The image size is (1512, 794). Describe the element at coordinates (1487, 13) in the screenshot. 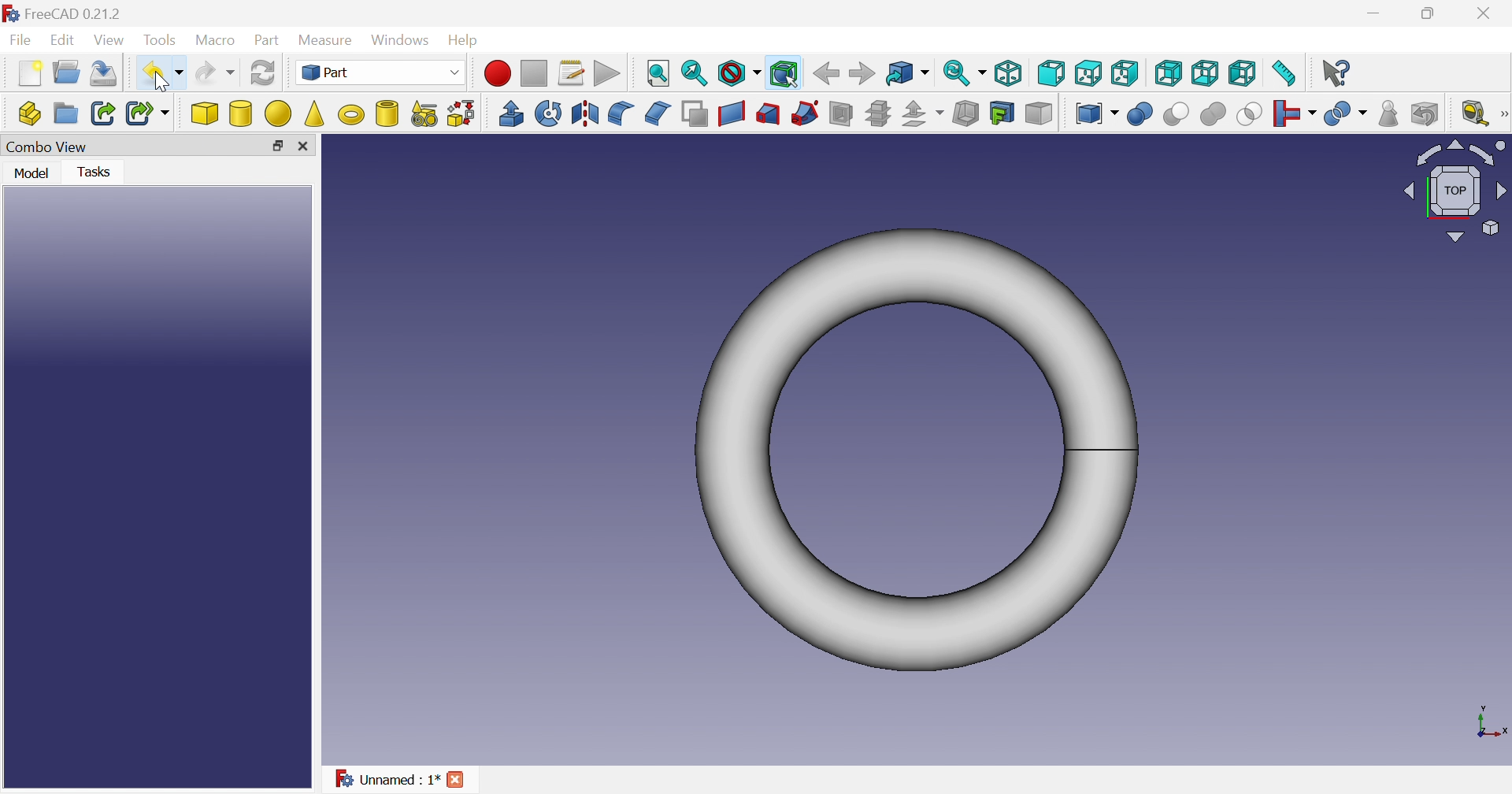

I see `Close` at that location.